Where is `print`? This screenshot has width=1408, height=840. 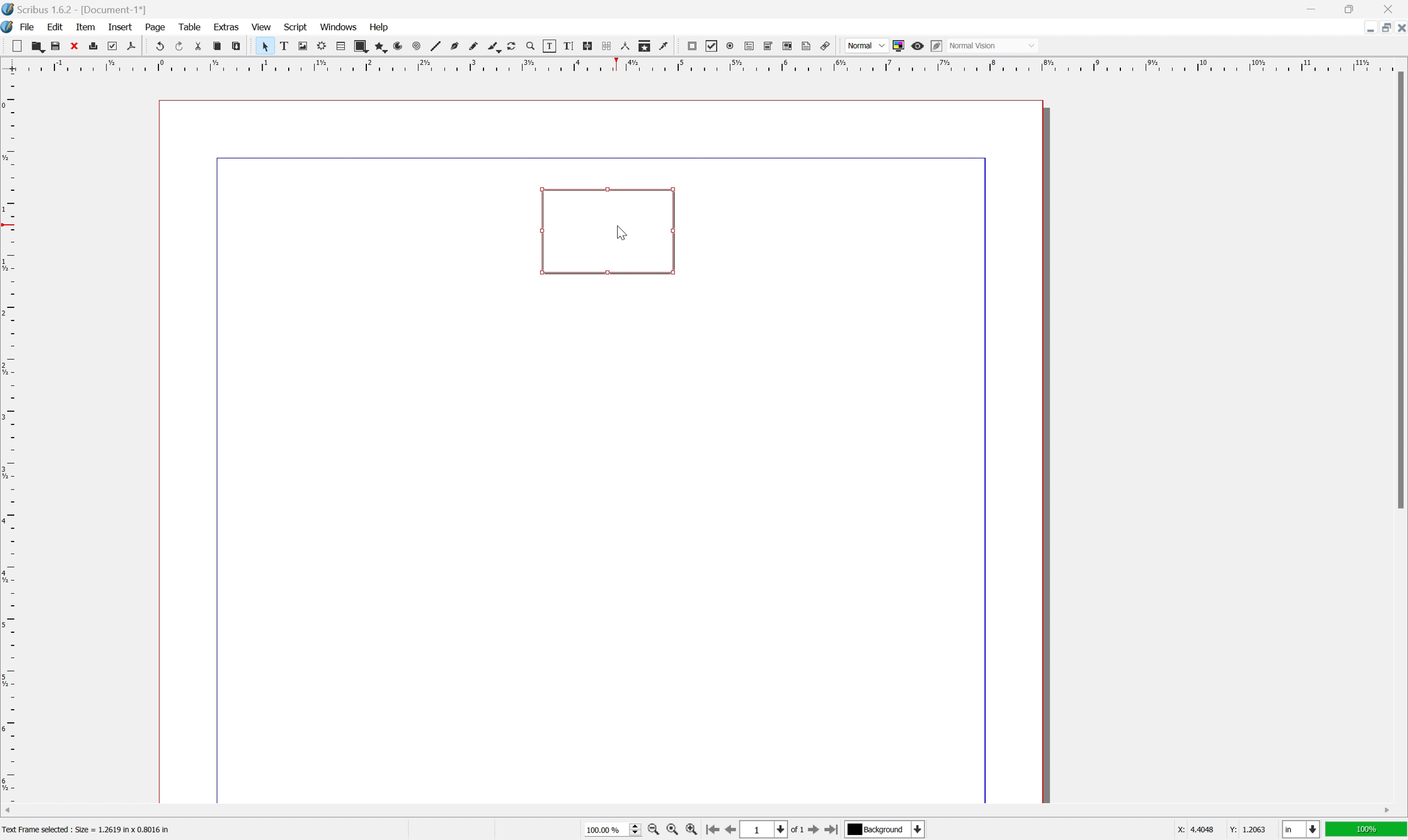 print is located at coordinates (93, 46).